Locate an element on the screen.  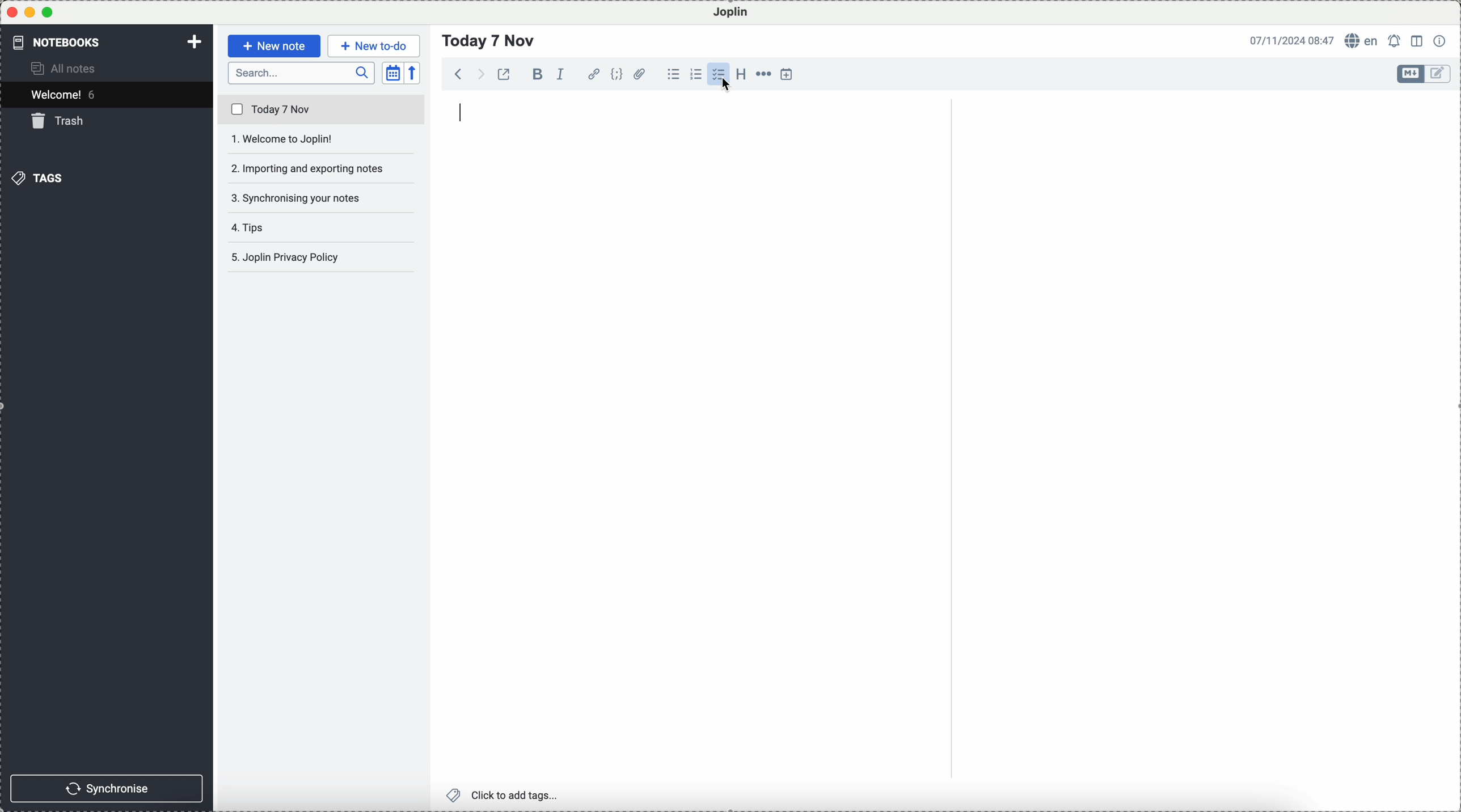
numbered list is located at coordinates (696, 74).